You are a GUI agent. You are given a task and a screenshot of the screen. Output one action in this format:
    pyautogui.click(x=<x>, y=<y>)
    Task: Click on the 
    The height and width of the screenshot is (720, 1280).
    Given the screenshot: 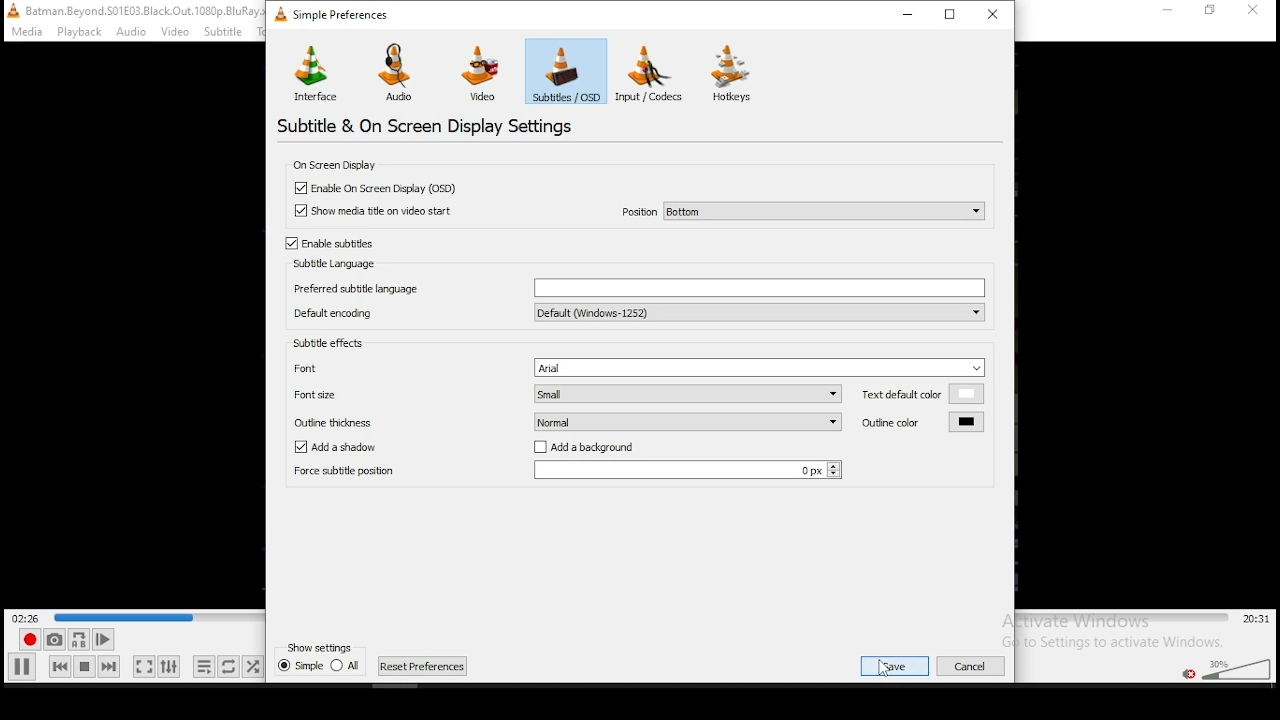 What is the action you would take?
    pyautogui.click(x=977, y=664)
    